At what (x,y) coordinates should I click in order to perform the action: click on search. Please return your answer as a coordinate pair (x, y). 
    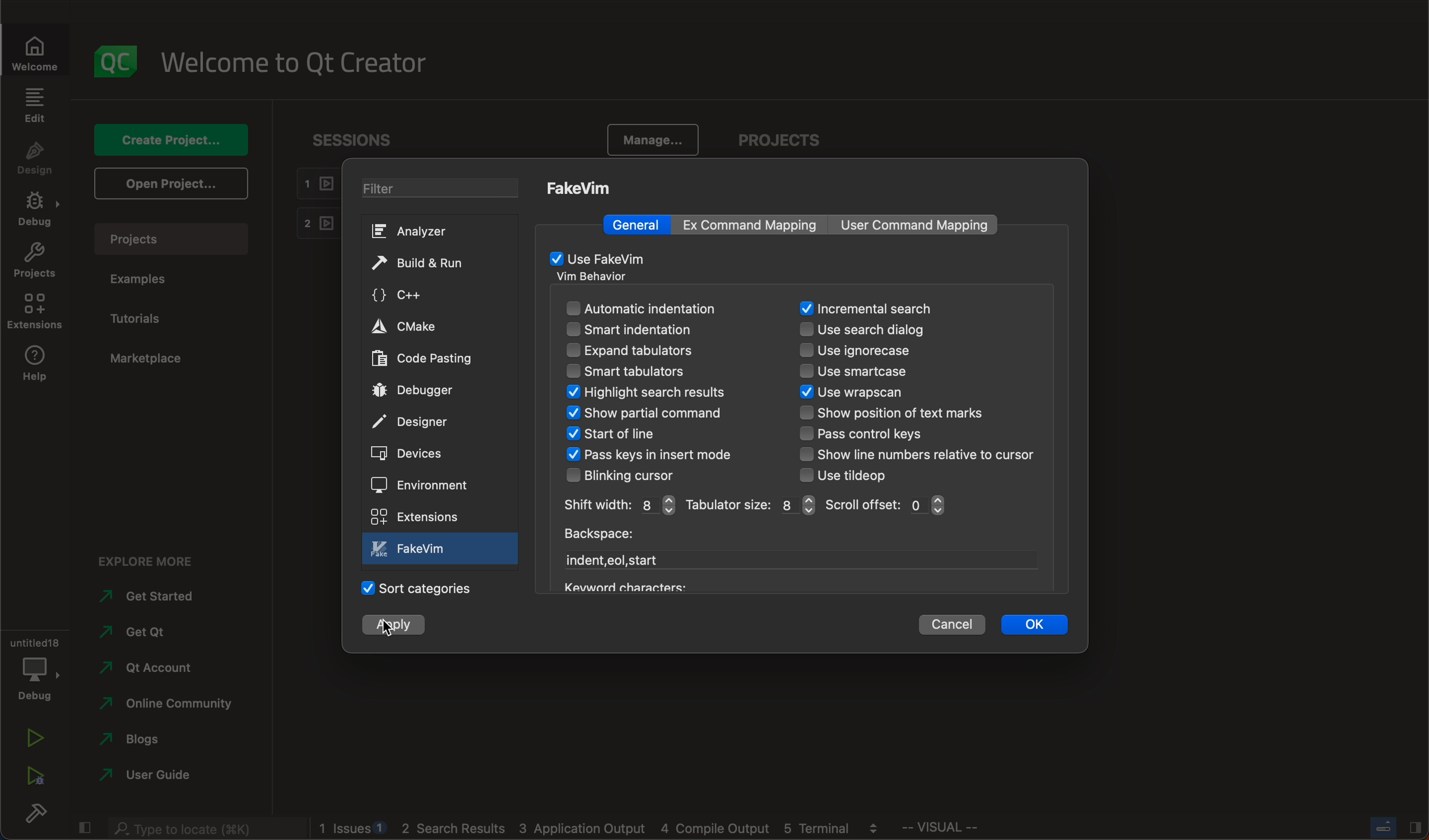
    Looking at the image, I should click on (866, 309).